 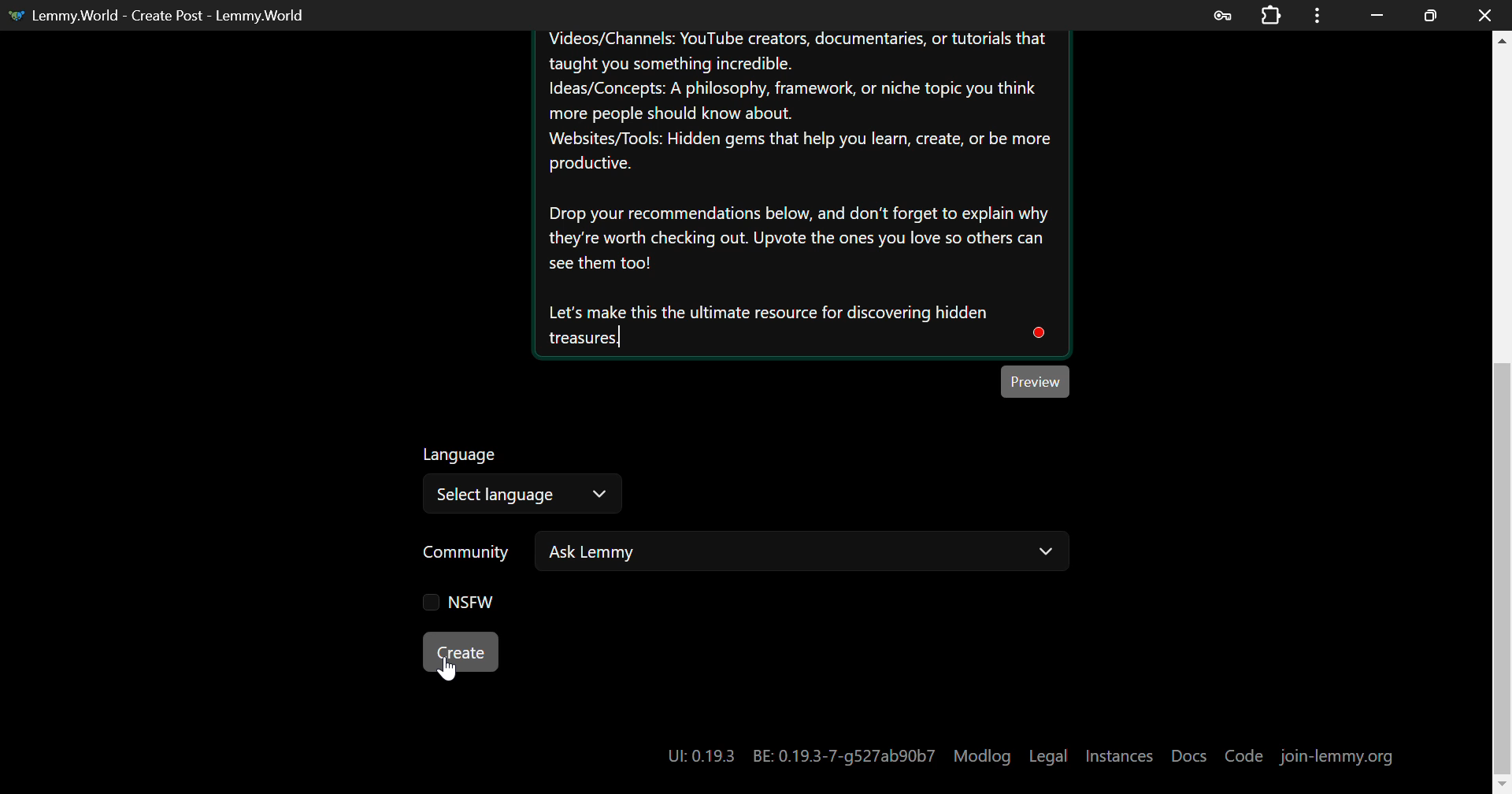 What do you see at coordinates (1221, 16) in the screenshot?
I see `Saved Password Data` at bounding box center [1221, 16].